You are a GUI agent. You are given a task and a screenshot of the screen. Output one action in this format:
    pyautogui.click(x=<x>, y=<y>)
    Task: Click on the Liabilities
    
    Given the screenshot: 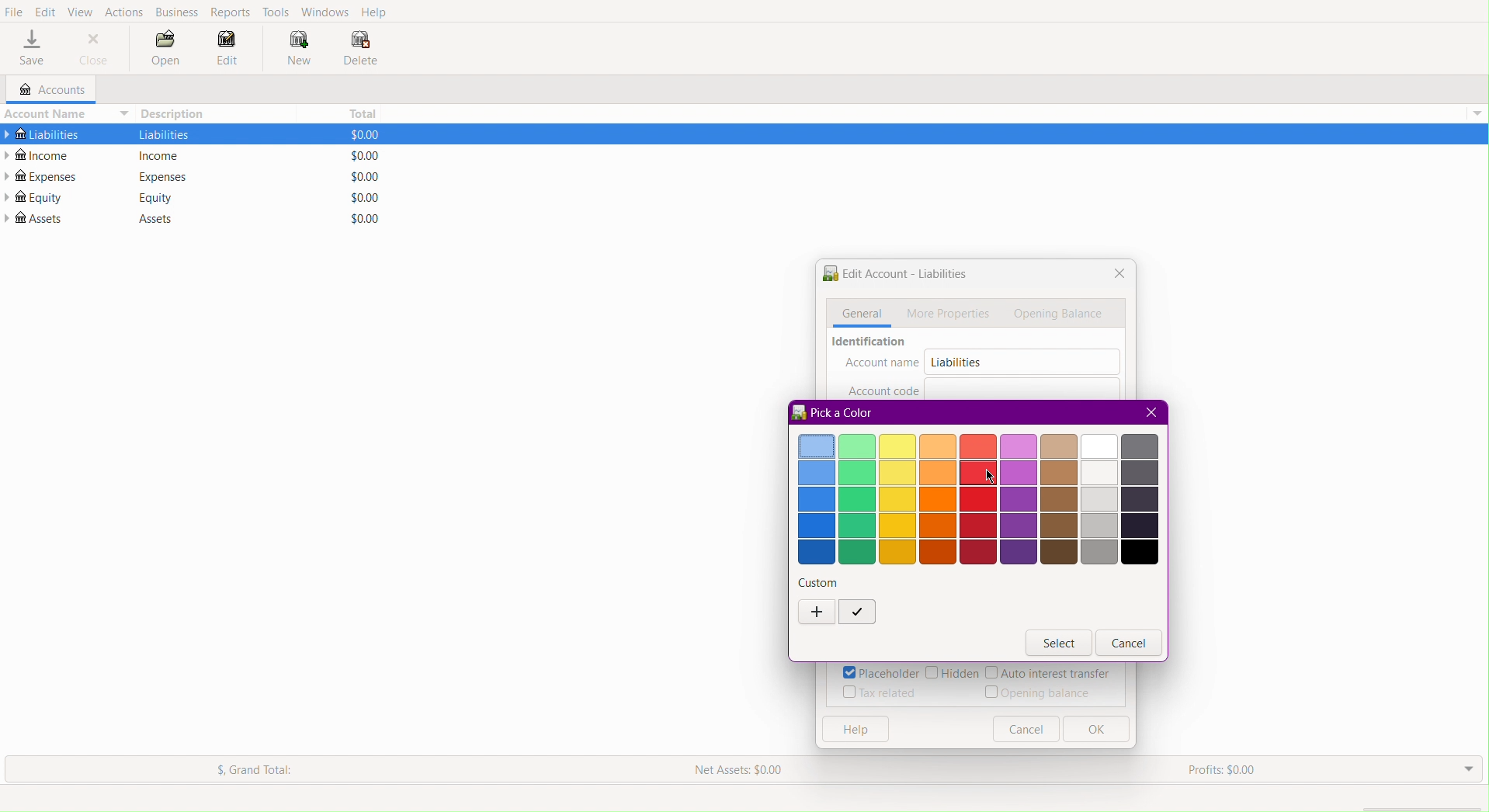 What is the action you would take?
    pyautogui.click(x=955, y=362)
    